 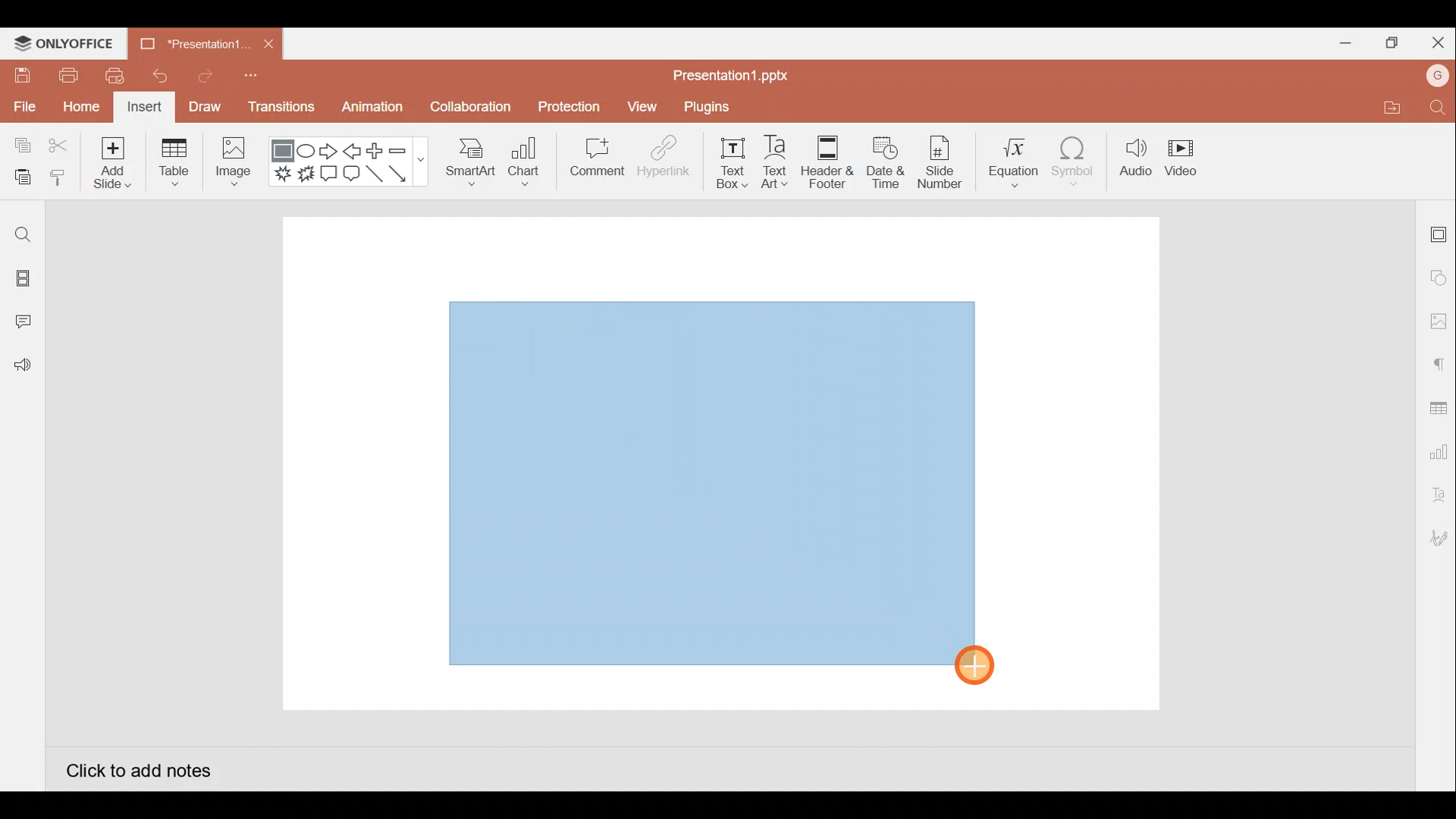 I want to click on Symbol, so click(x=1074, y=158).